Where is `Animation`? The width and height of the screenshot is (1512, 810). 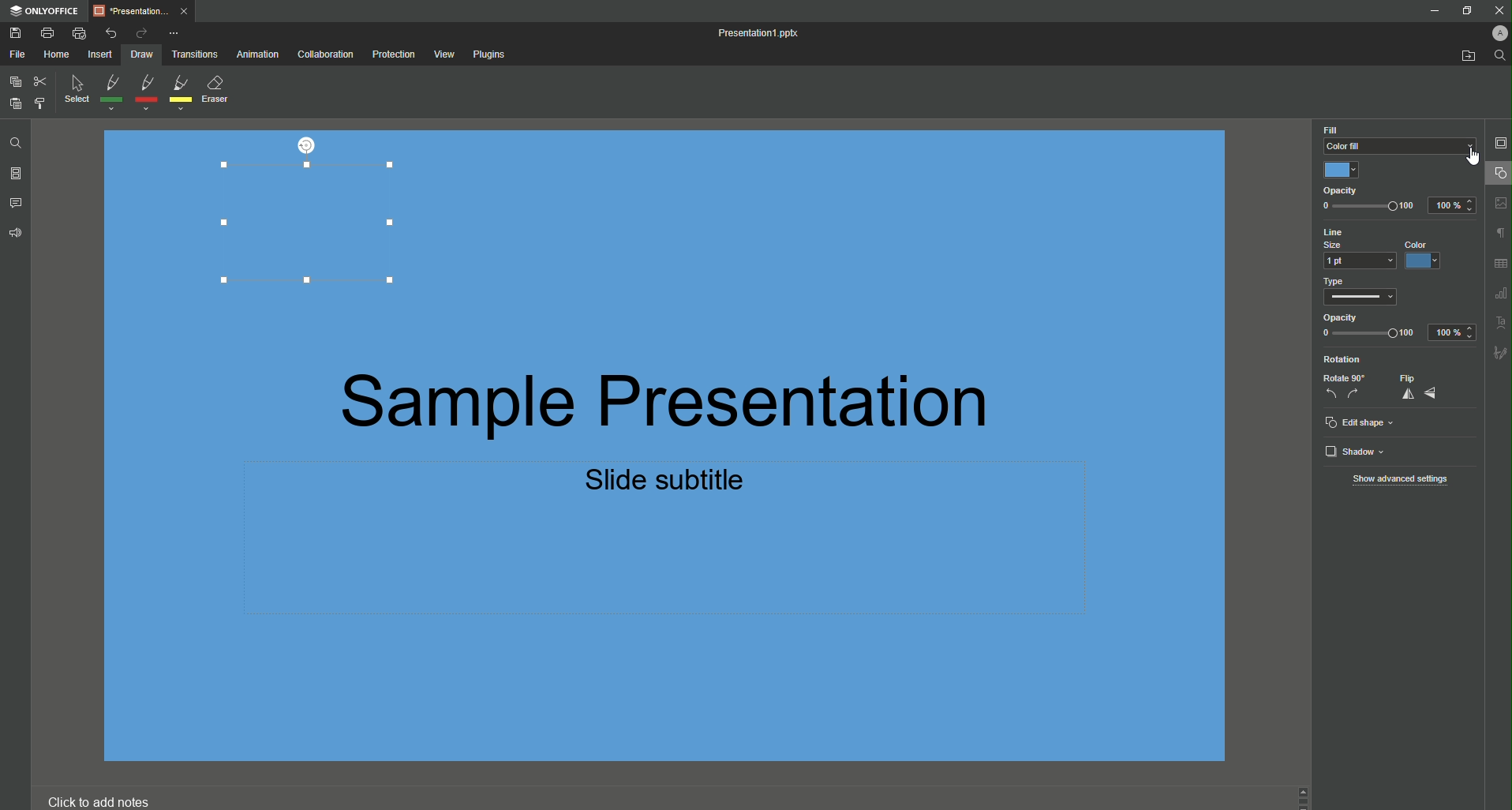
Animation is located at coordinates (259, 56).